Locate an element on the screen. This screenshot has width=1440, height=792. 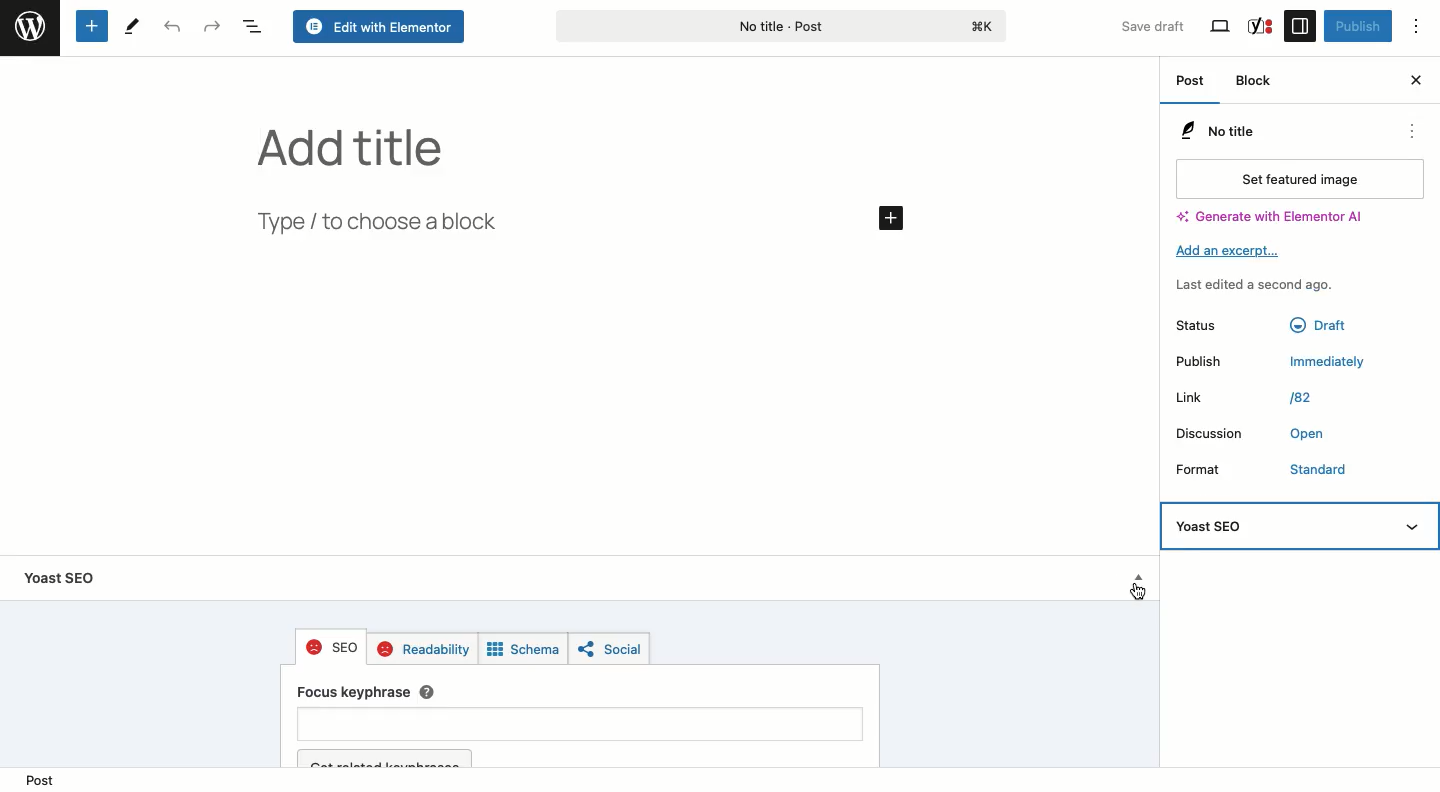
Last edited a second ago is located at coordinates (1255, 285).